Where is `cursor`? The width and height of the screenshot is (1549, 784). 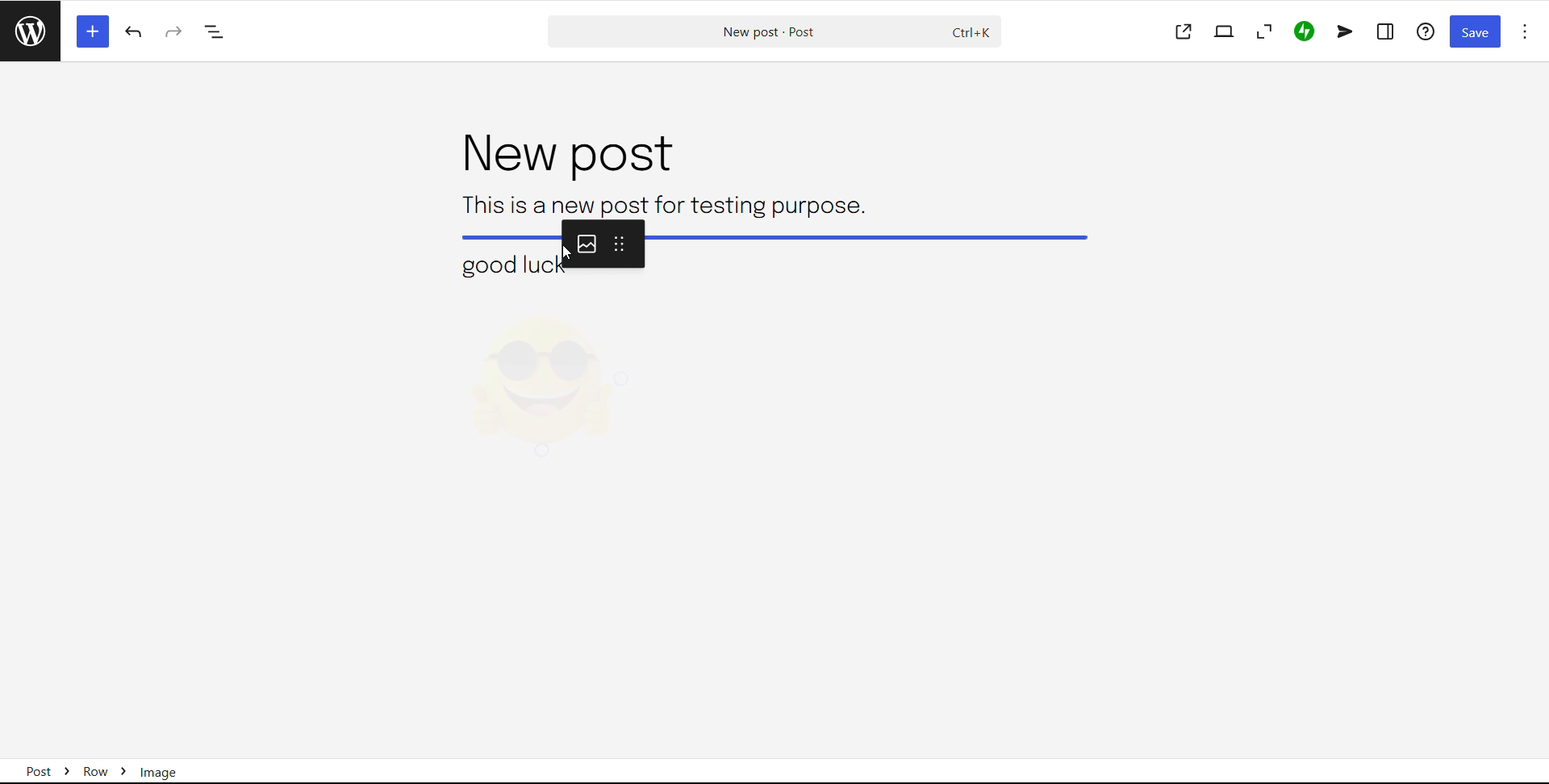
cursor is located at coordinates (572, 253).